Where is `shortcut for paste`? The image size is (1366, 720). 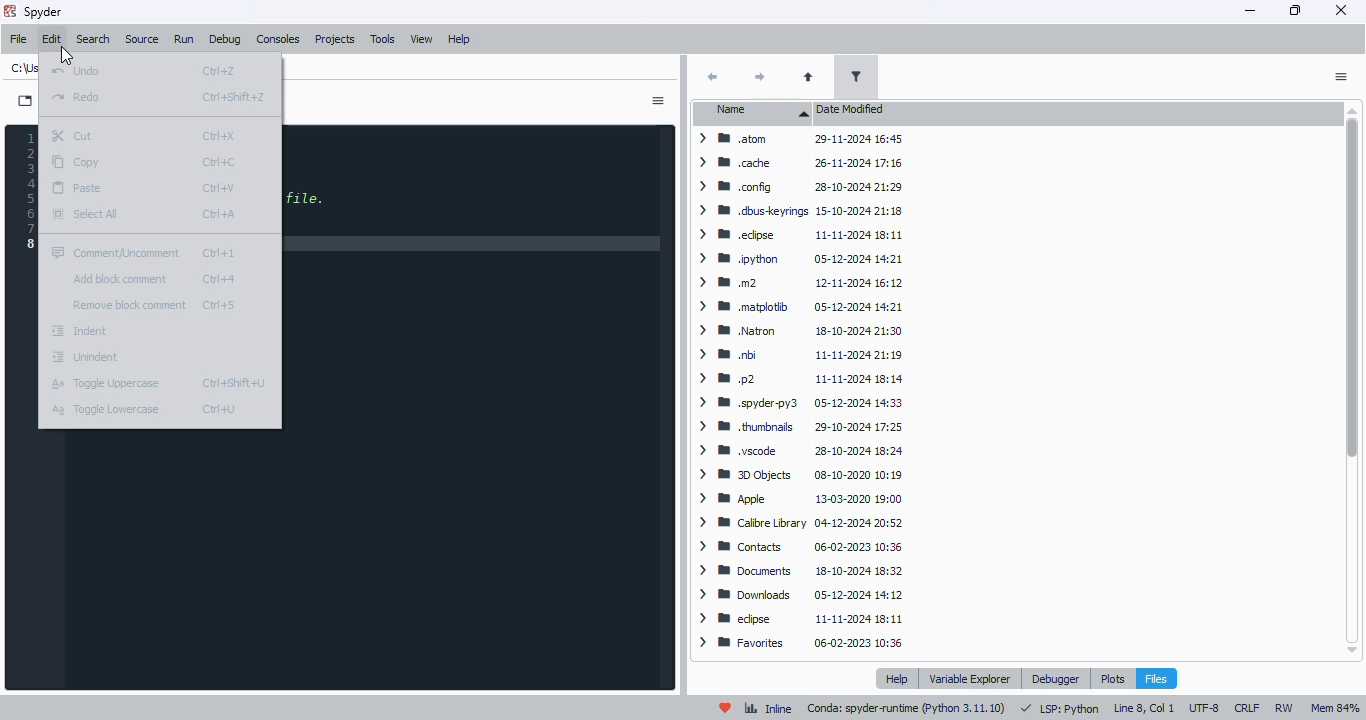
shortcut for paste is located at coordinates (220, 188).